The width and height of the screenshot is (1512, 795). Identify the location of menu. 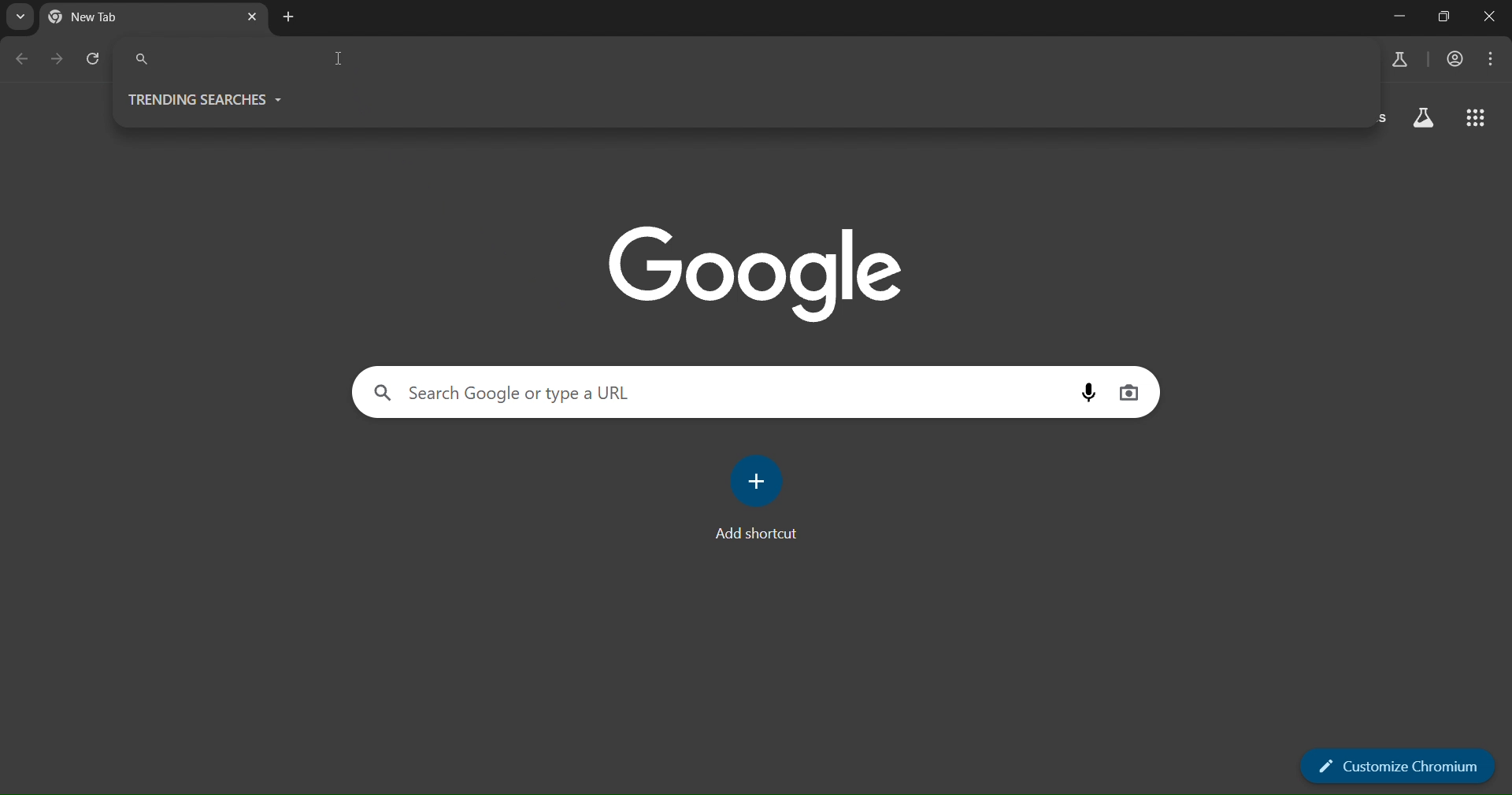
(1496, 58).